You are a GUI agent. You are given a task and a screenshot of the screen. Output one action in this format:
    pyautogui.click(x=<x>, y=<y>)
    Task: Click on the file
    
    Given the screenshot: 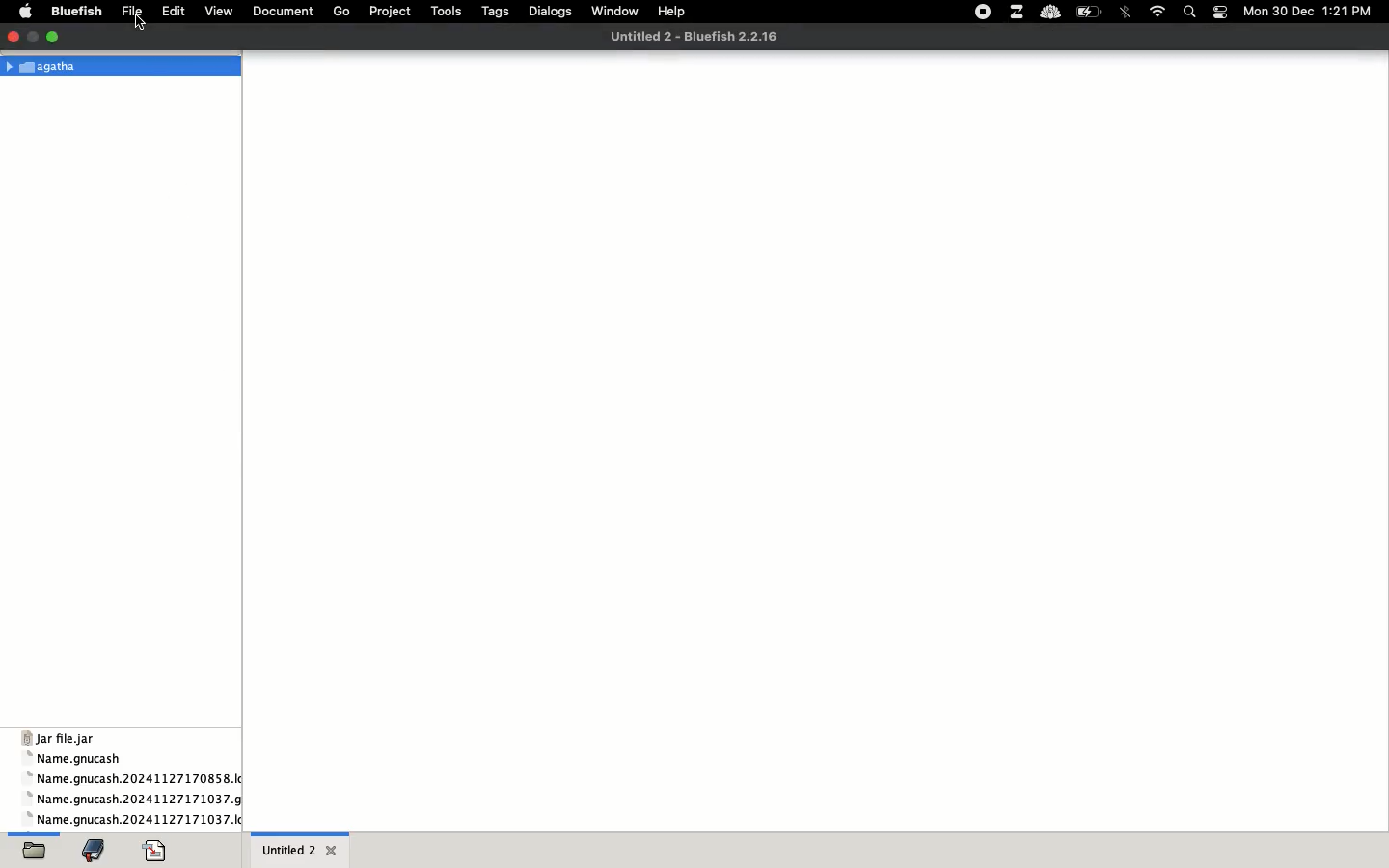 What is the action you would take?
    pyautogui.click(x=132, y=13)
    